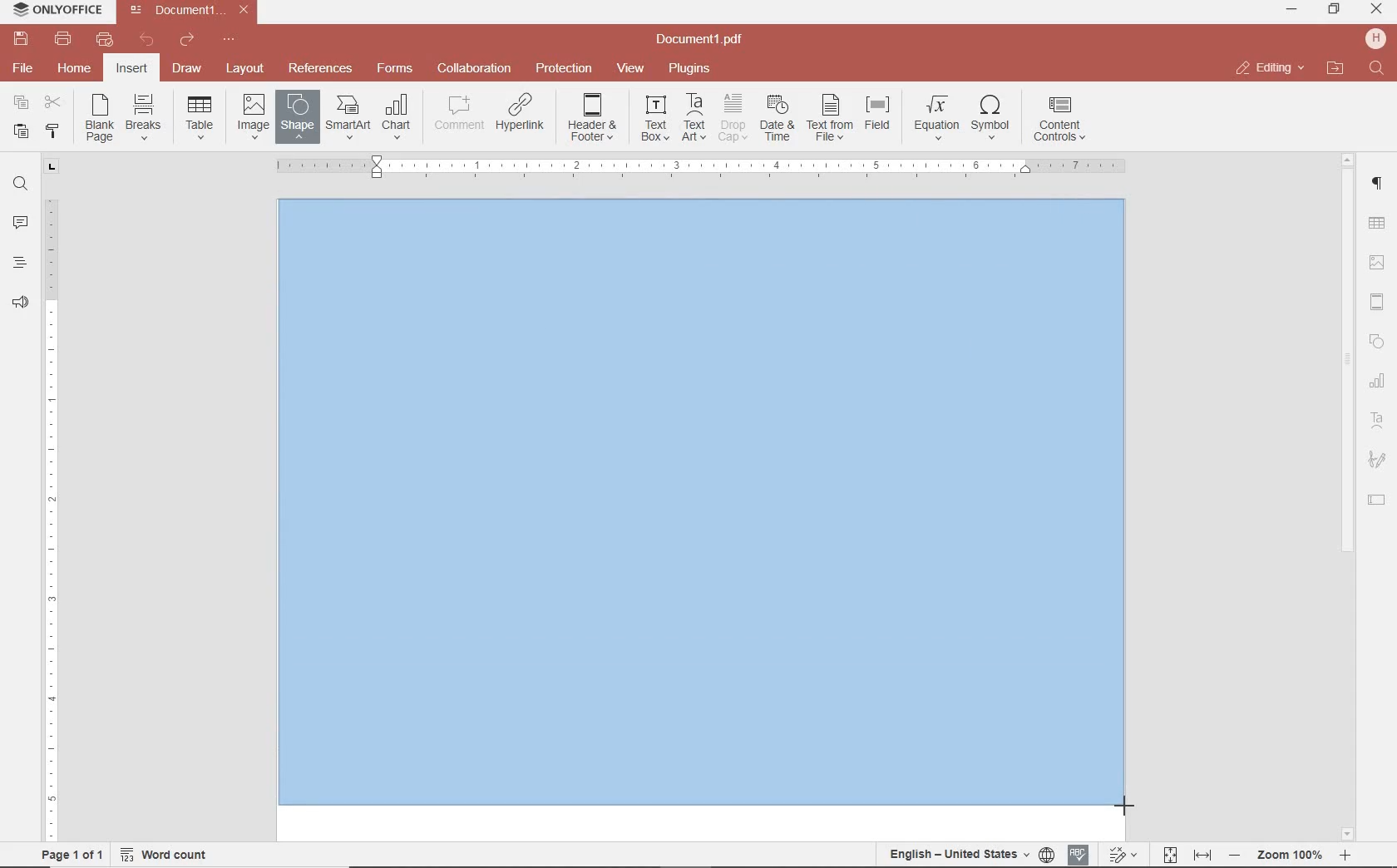 This screenshot has width=1397, height=868. Describe the element at coordinates (170, 855) in the screenshot. I see `word count` at that location.